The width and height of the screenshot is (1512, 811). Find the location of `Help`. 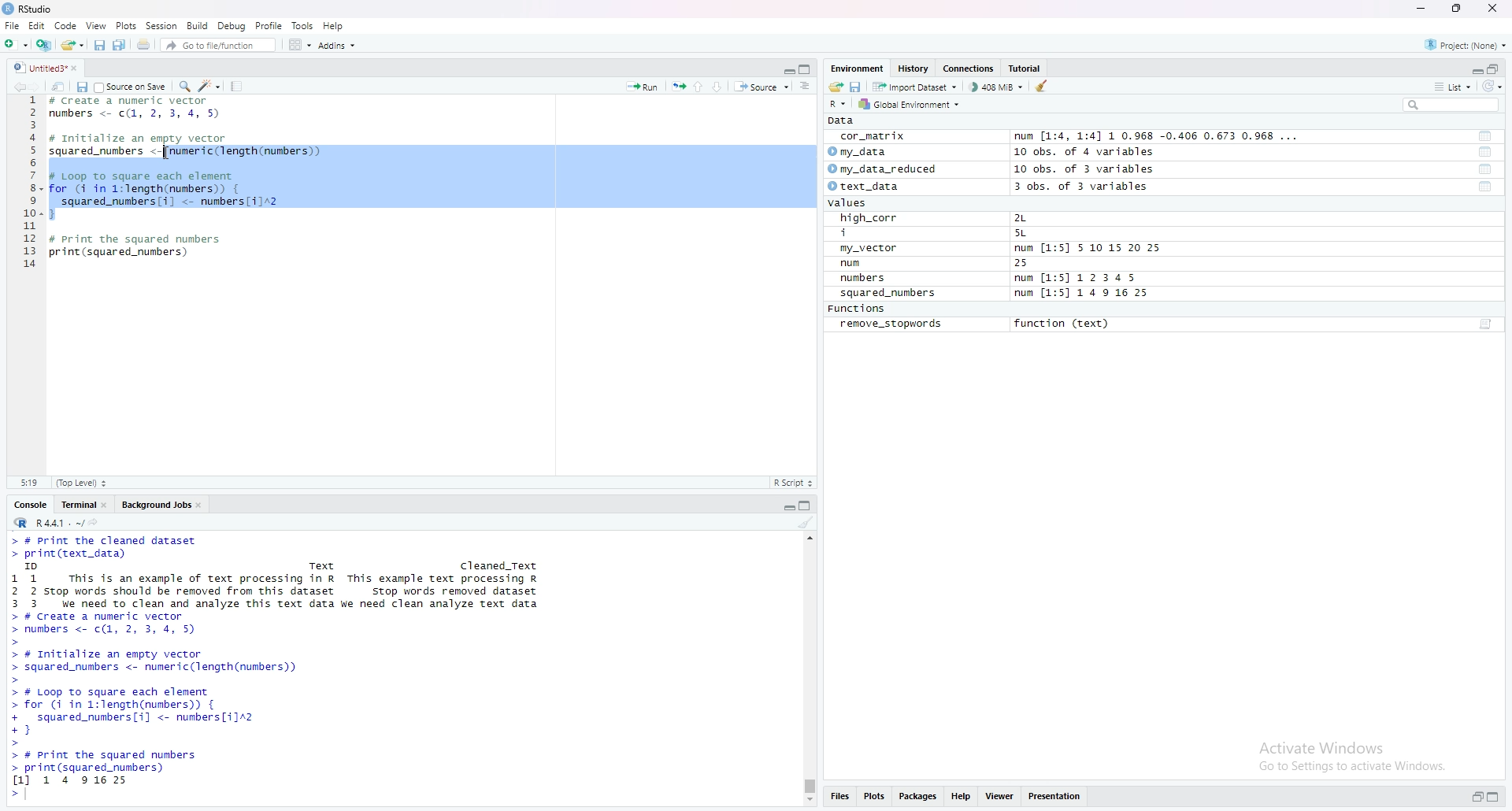

Help is located at coordinates (962, 798).